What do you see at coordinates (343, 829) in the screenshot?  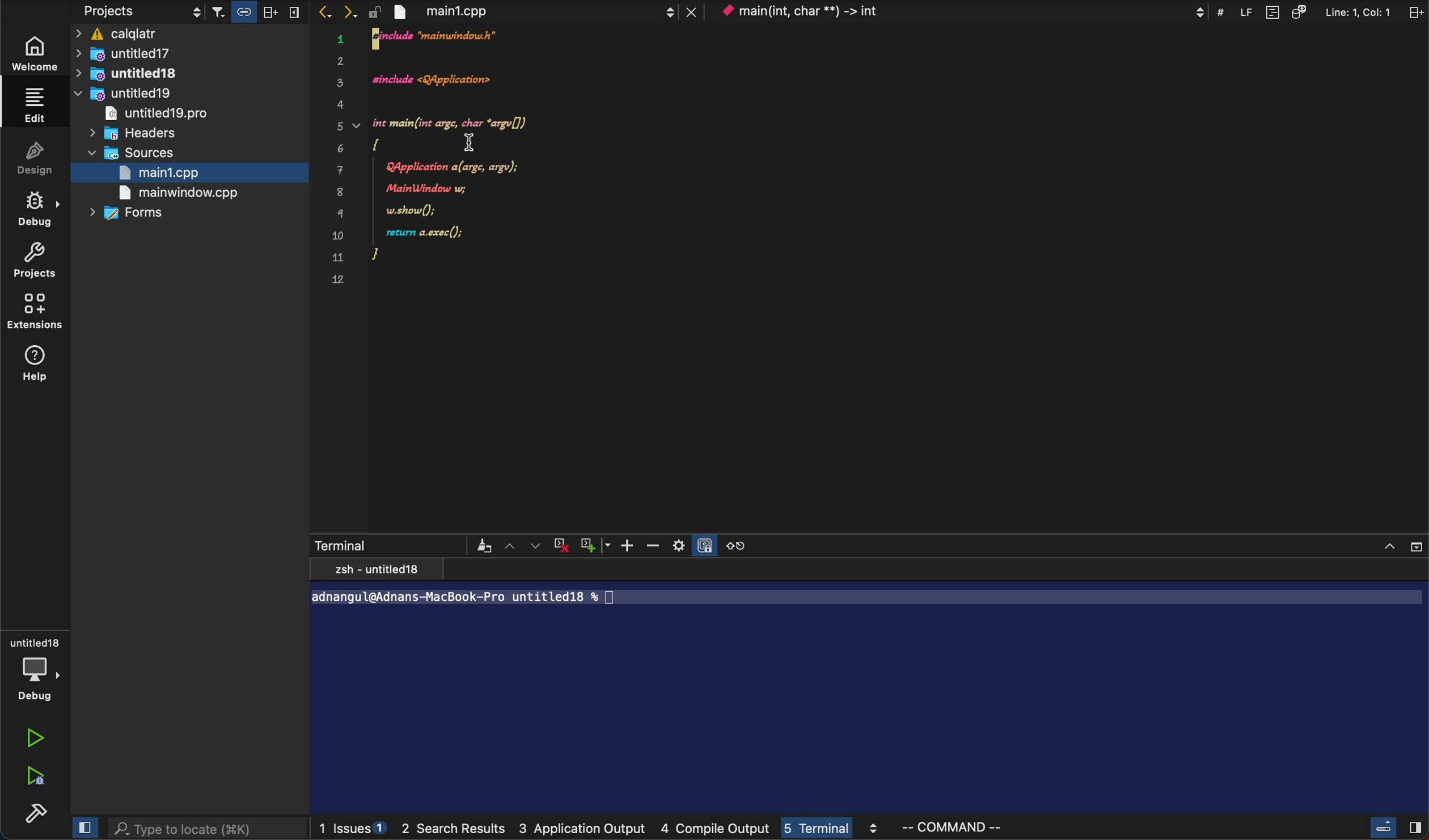 I see `issues` at bounding box center [343, 829].